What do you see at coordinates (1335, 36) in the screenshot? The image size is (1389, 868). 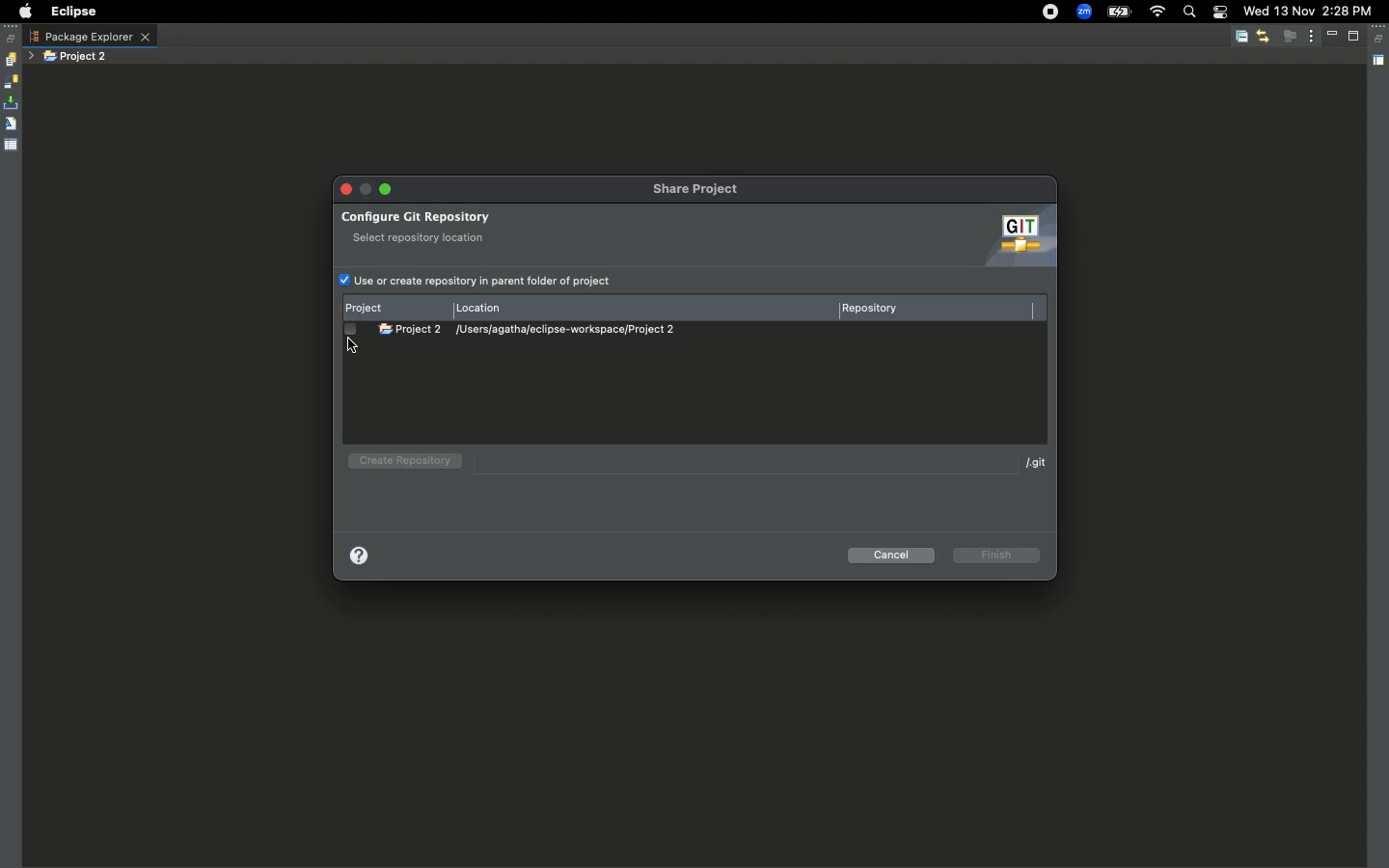 I see `Minimize` at bounding box center [1335, 36].